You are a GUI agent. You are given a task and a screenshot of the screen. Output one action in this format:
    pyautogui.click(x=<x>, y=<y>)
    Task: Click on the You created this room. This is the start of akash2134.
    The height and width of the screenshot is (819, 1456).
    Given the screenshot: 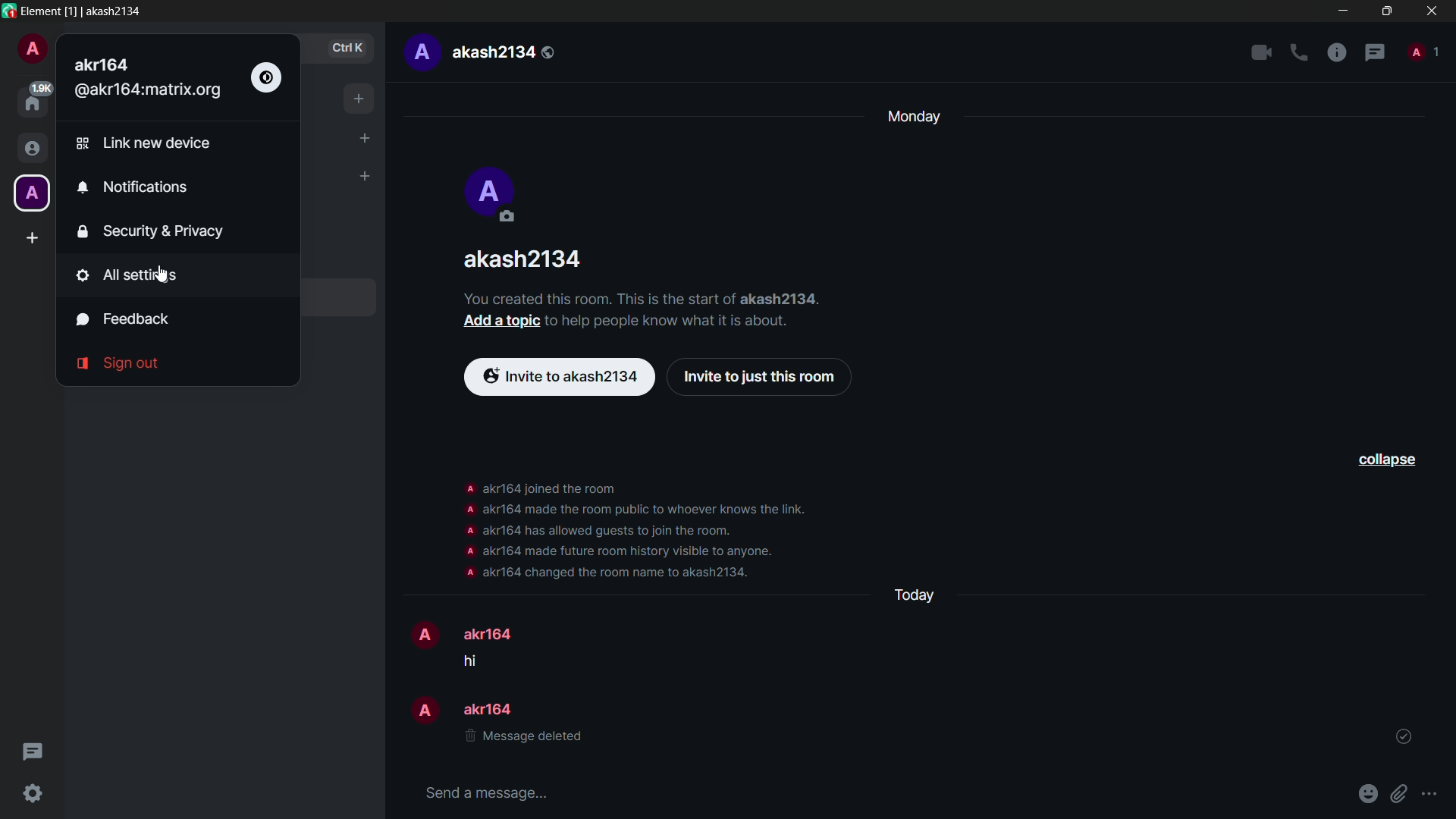 What is the action you would take?
    pyautogui.click(x=657, y=297)
    